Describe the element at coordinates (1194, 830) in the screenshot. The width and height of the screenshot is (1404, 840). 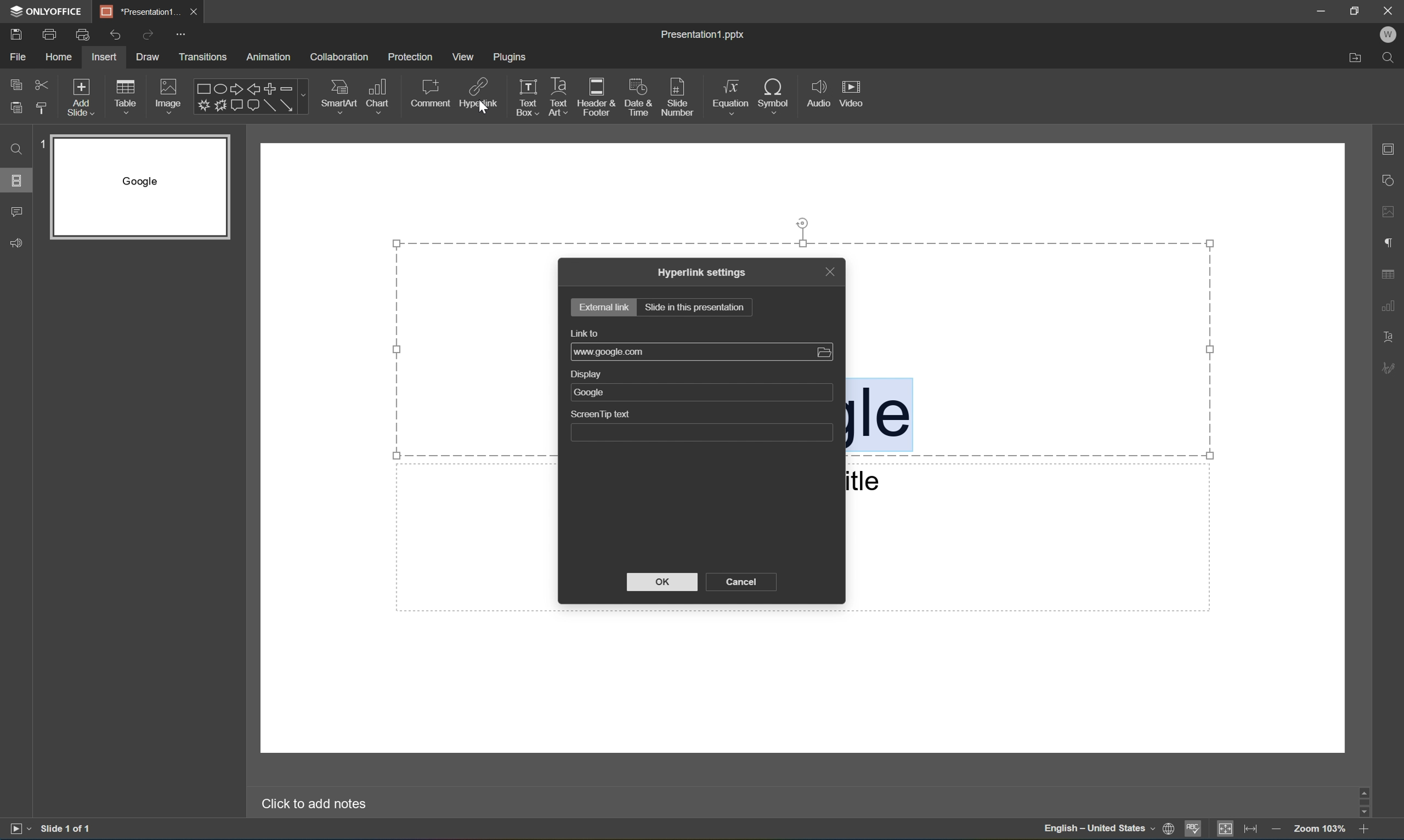
I see `Spell checking` at that location.